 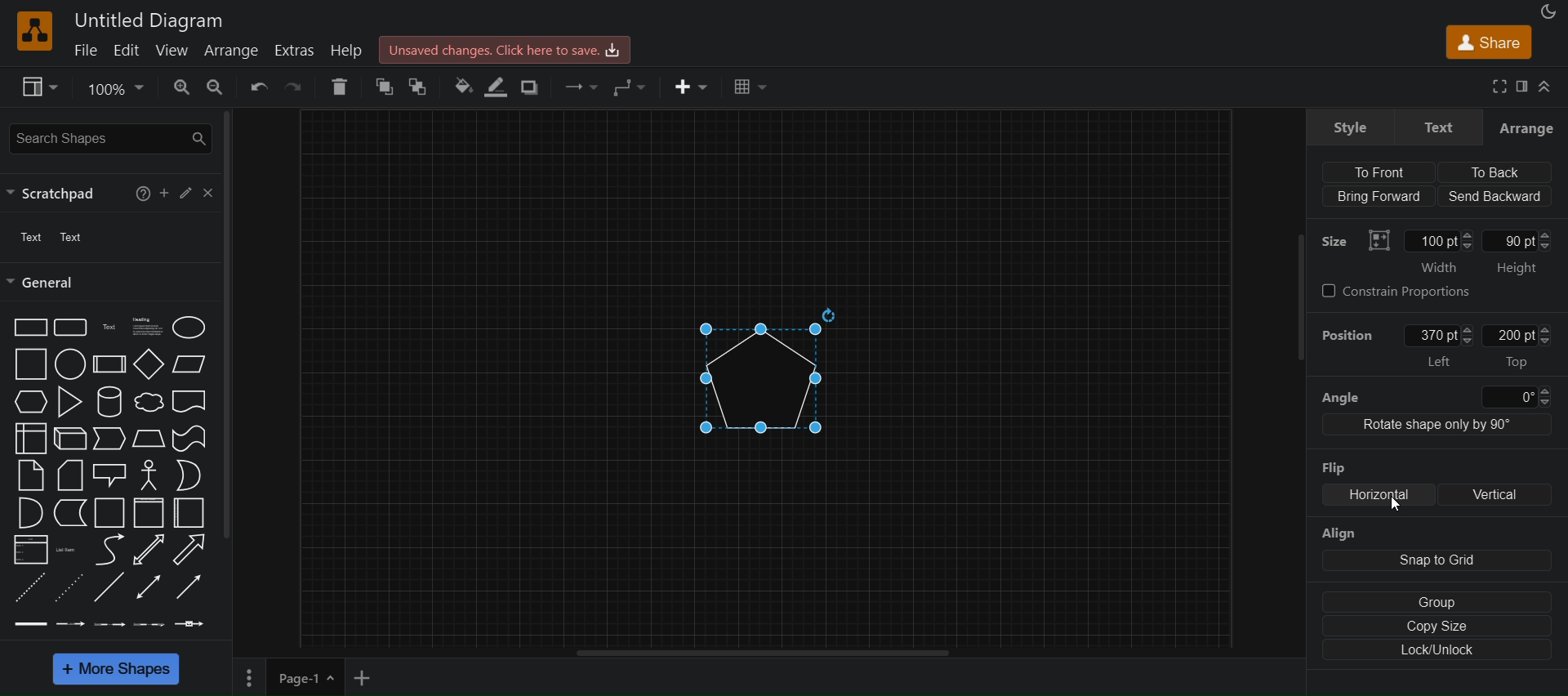 I want to click on page options, so click(x=331, y=677).